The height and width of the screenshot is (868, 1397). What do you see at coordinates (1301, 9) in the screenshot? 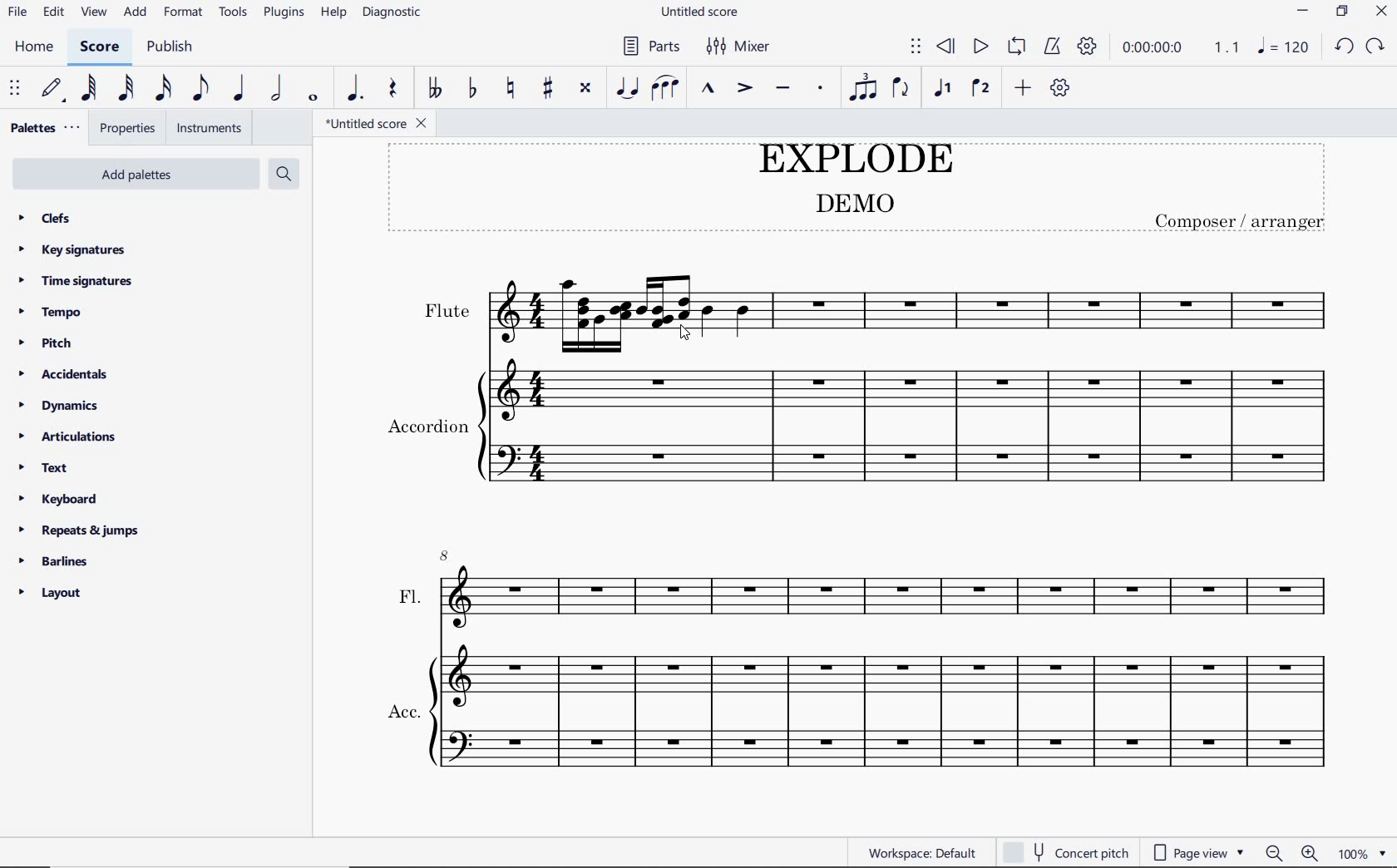
I see `minimize` at bounding box center [1301, 9].